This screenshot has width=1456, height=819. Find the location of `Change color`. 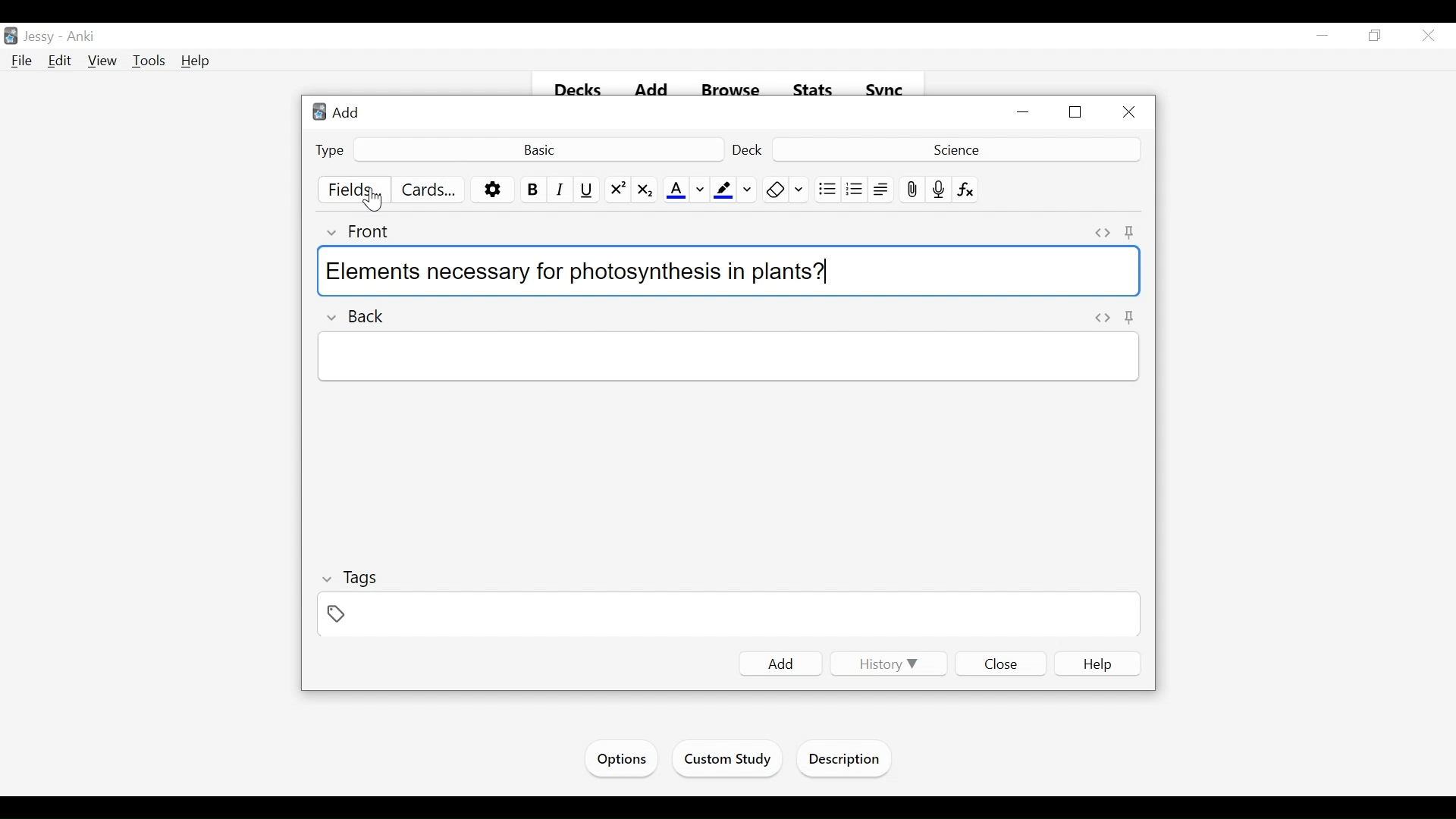

Change color is located at coordinates (800, 190).